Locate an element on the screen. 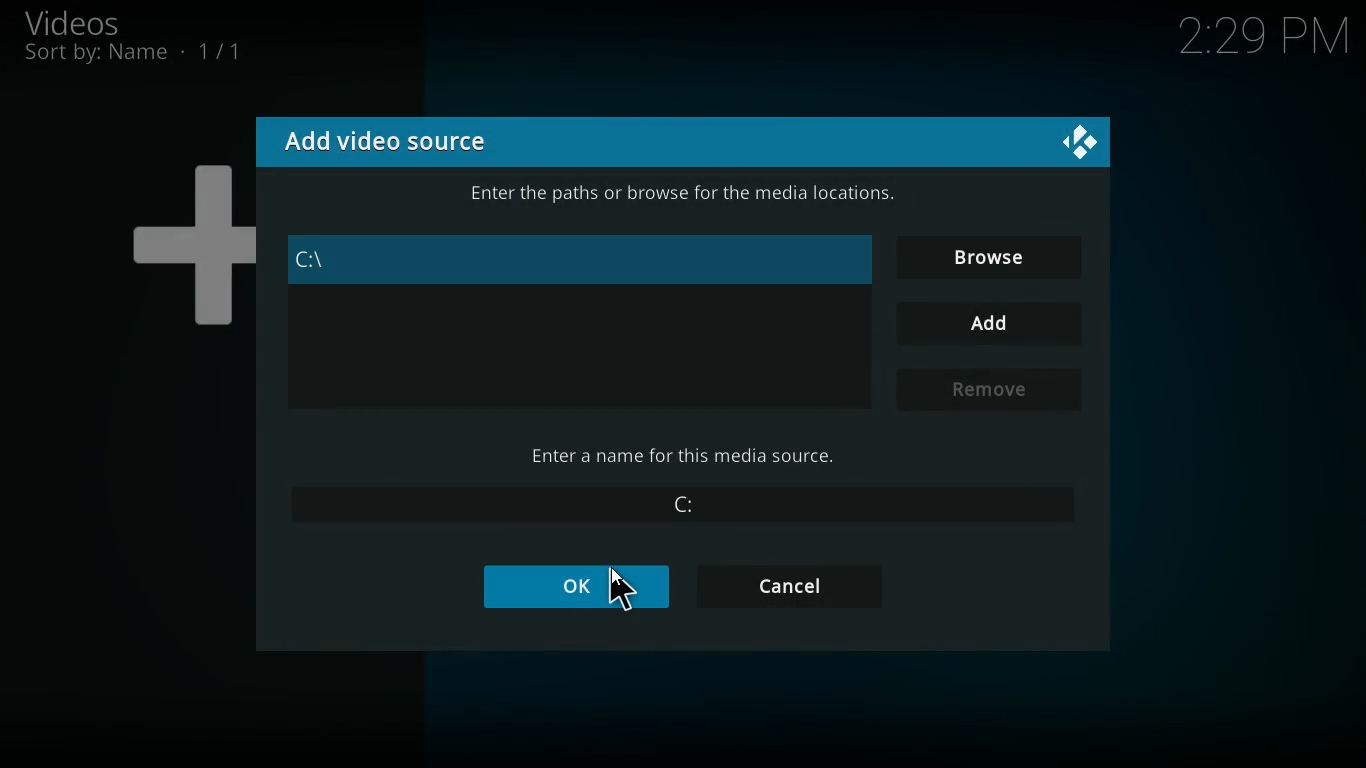 The height and width of the screenshot is (768, 1366). Cursor is located at coordinates (621, 586).